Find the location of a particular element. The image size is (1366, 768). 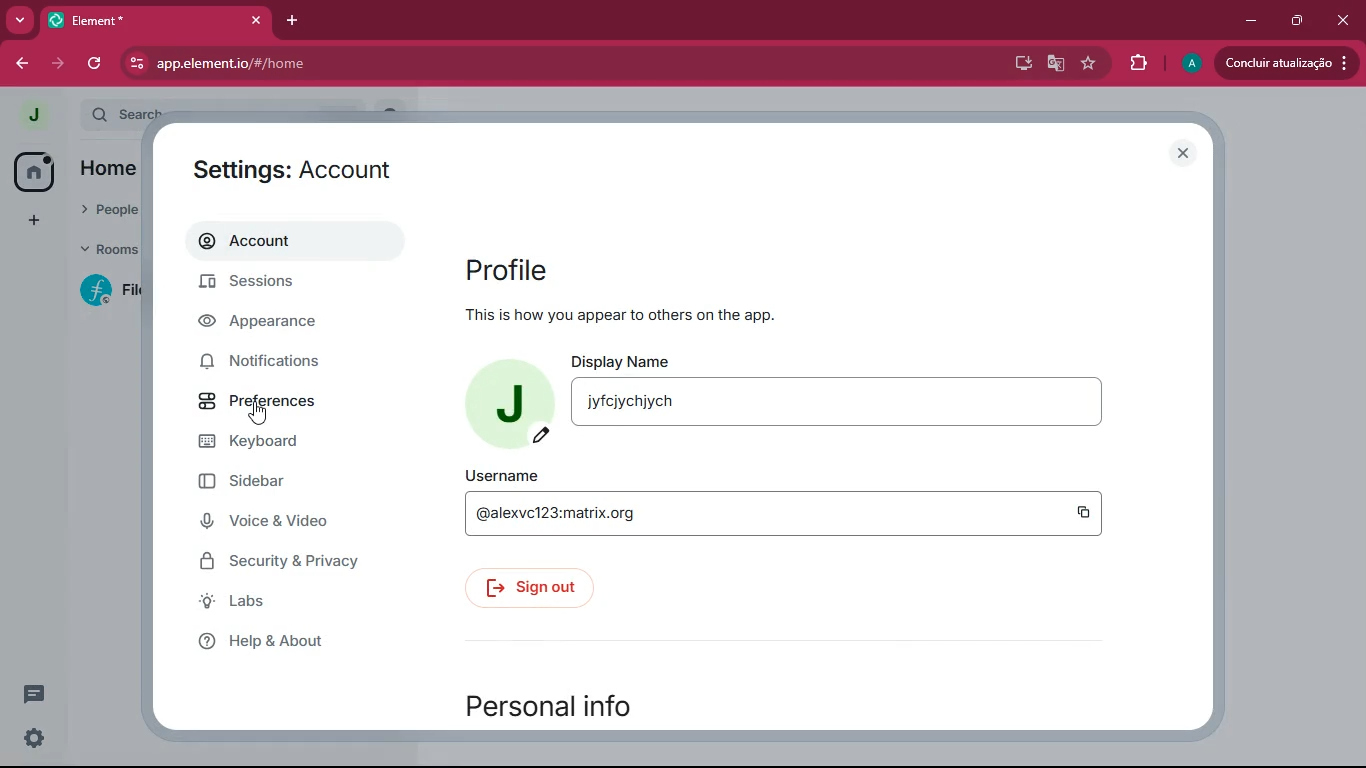

appearance is located at coordinates (283, 324).